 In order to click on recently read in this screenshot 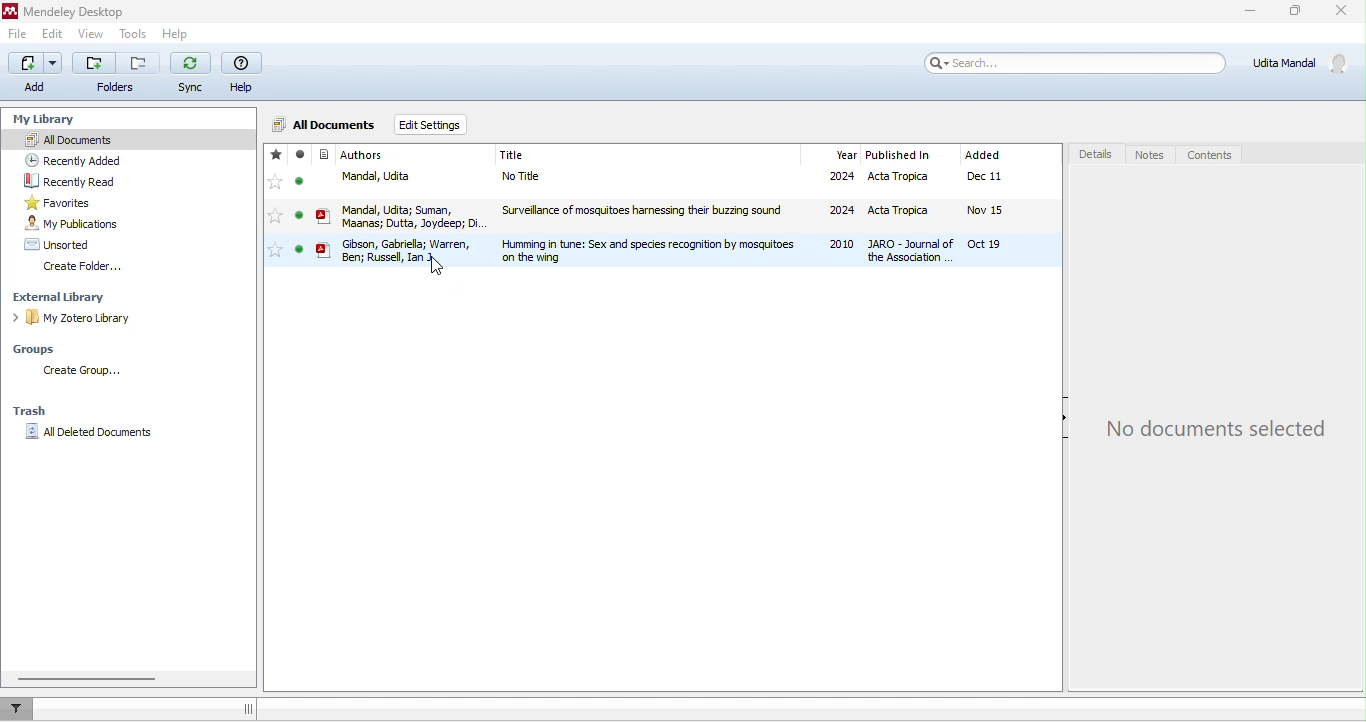, I will do `click(70, 182)`.